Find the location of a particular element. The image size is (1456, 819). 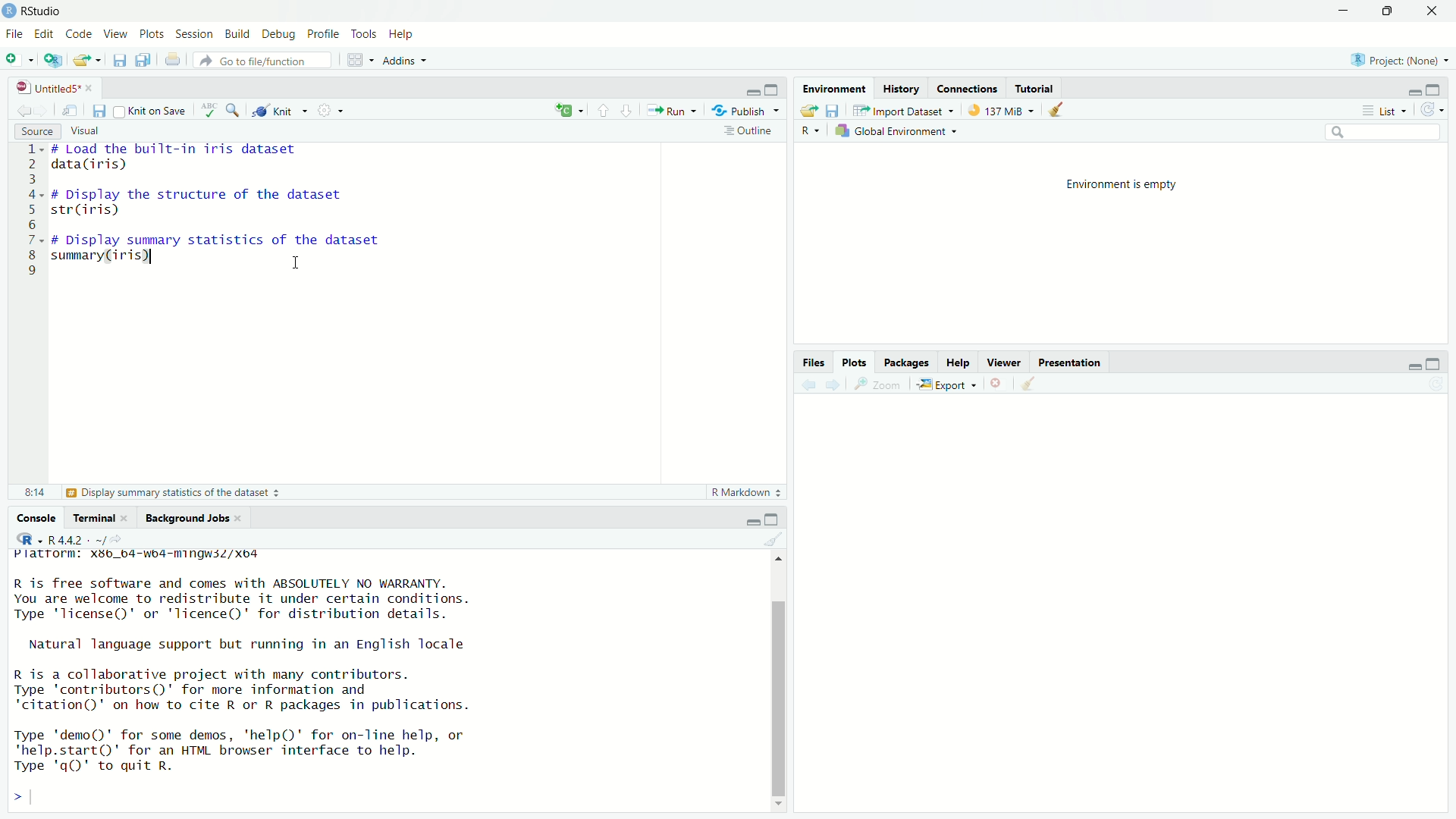

Connections is located at coordinates (967, 87).